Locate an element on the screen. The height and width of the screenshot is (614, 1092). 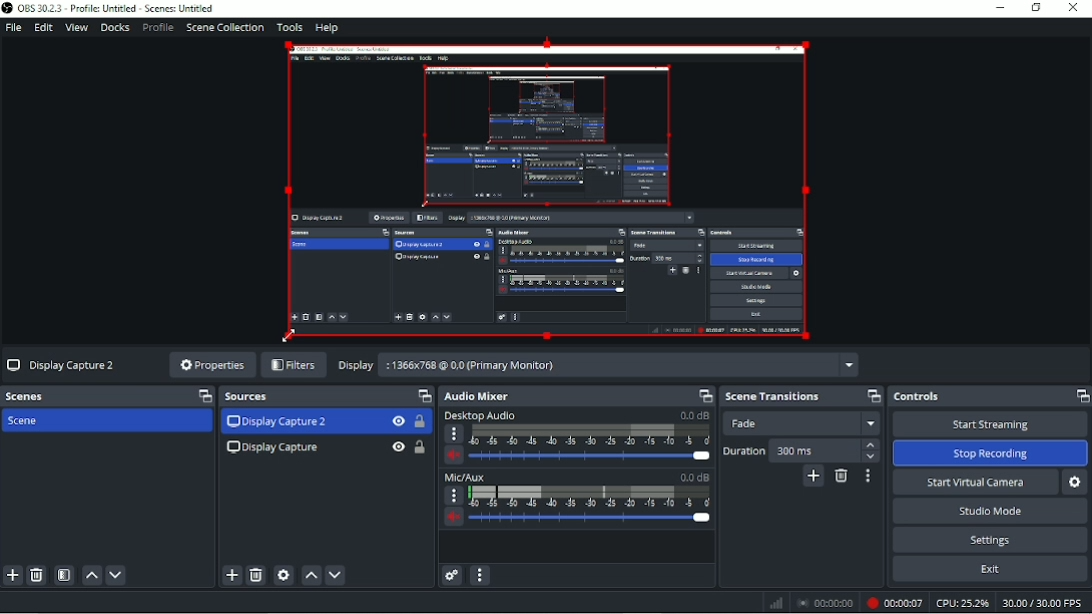
30.00/30.00 FPS is located at coordinates (1045, 604).